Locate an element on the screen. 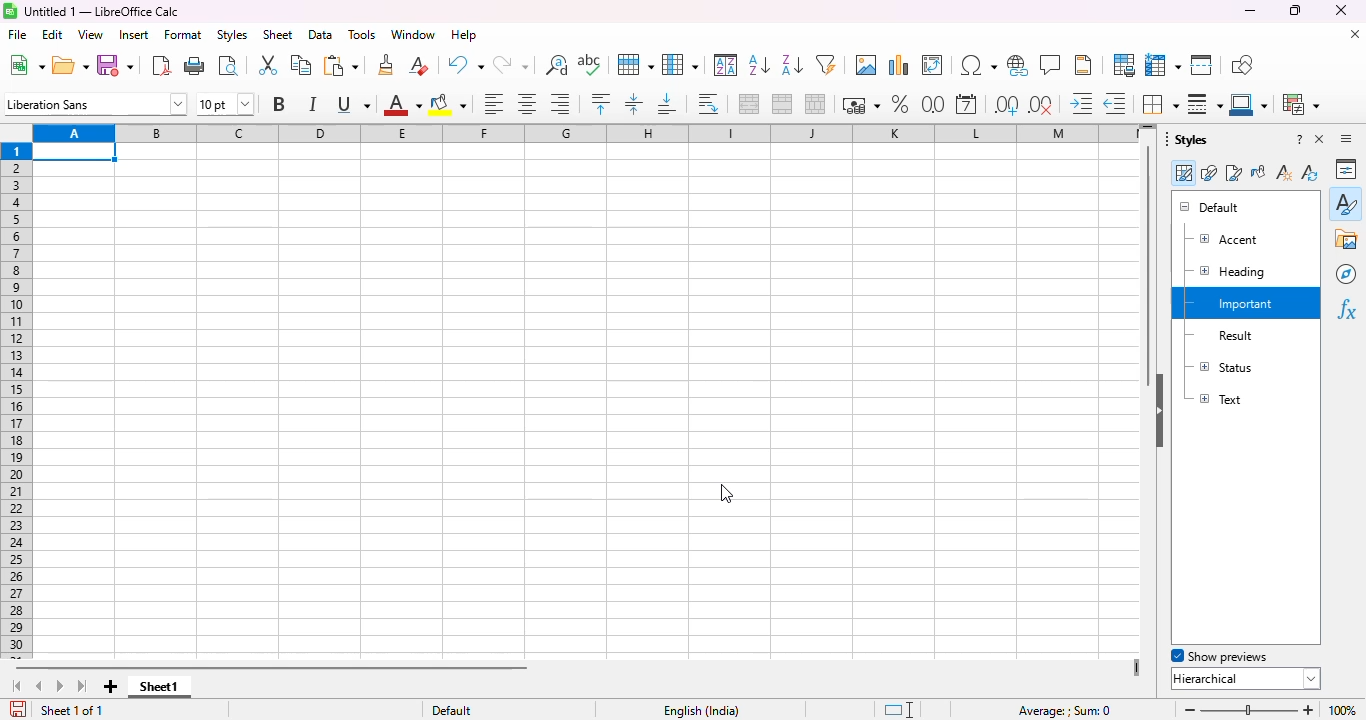 Image resolution: width=1366 pixels, height=720 pixels. drawing styles is located at coordinates (1209, 173).